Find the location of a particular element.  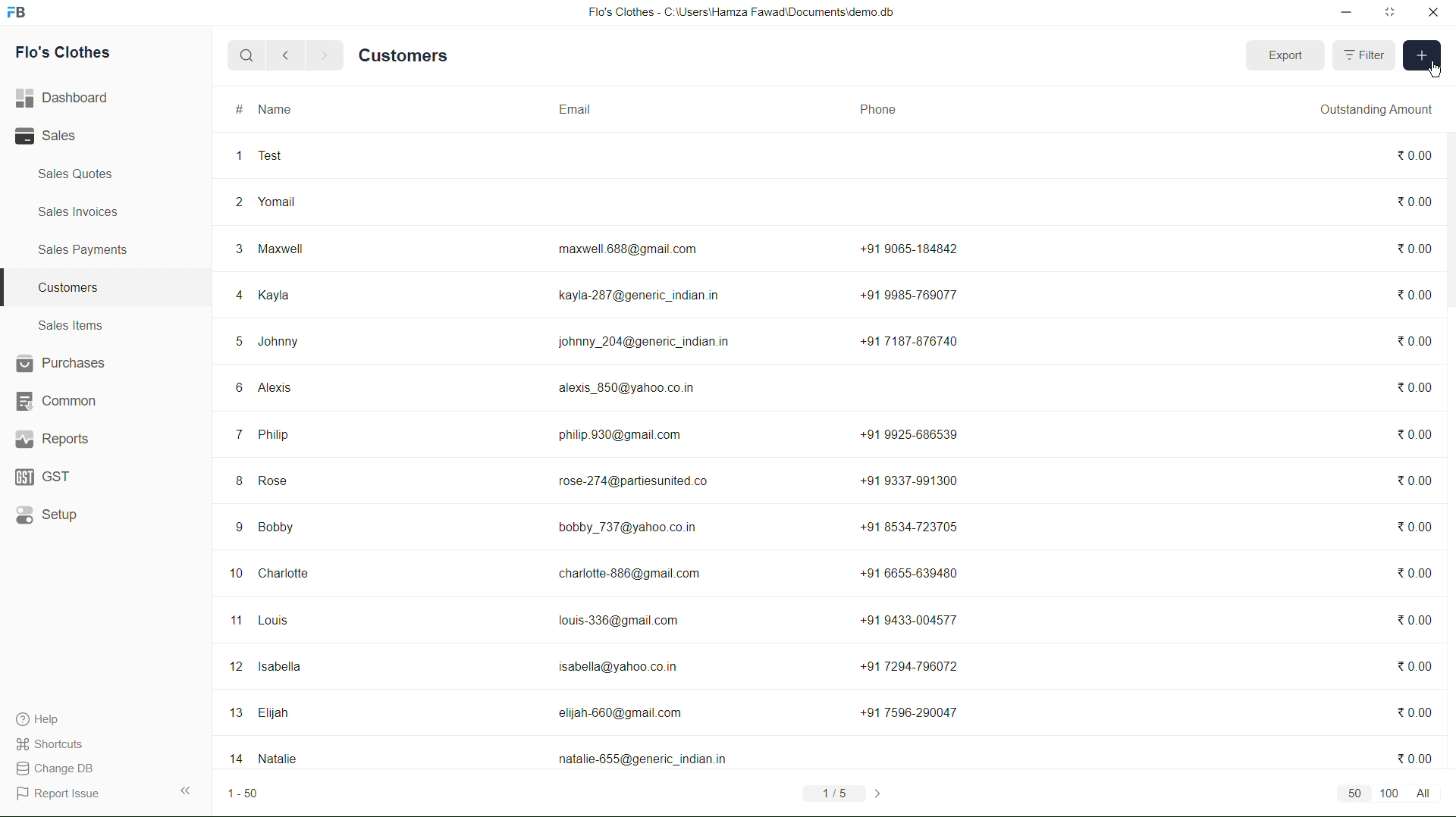

Phone is located at coordinates (874, 111).